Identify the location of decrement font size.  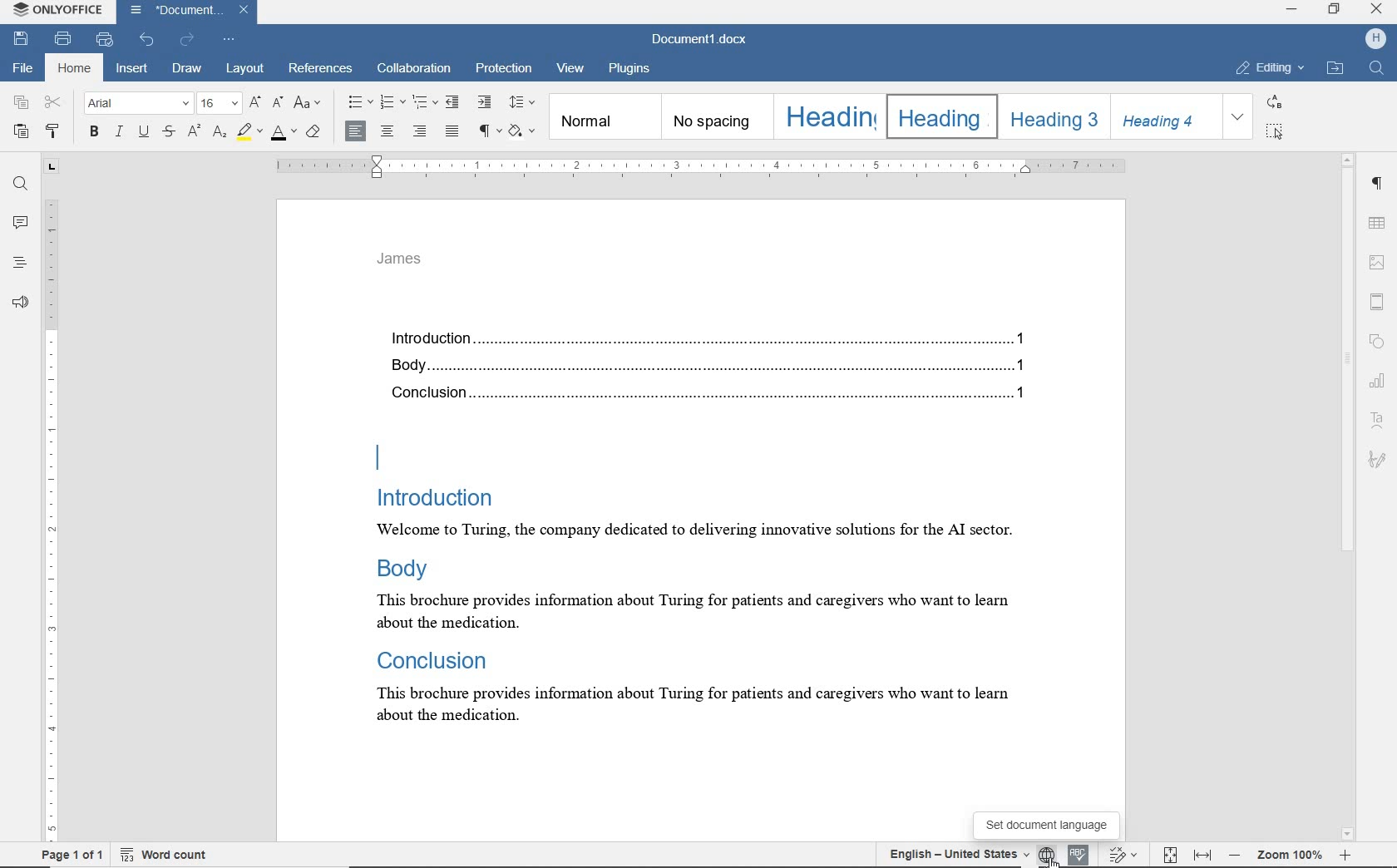
(278, 101).